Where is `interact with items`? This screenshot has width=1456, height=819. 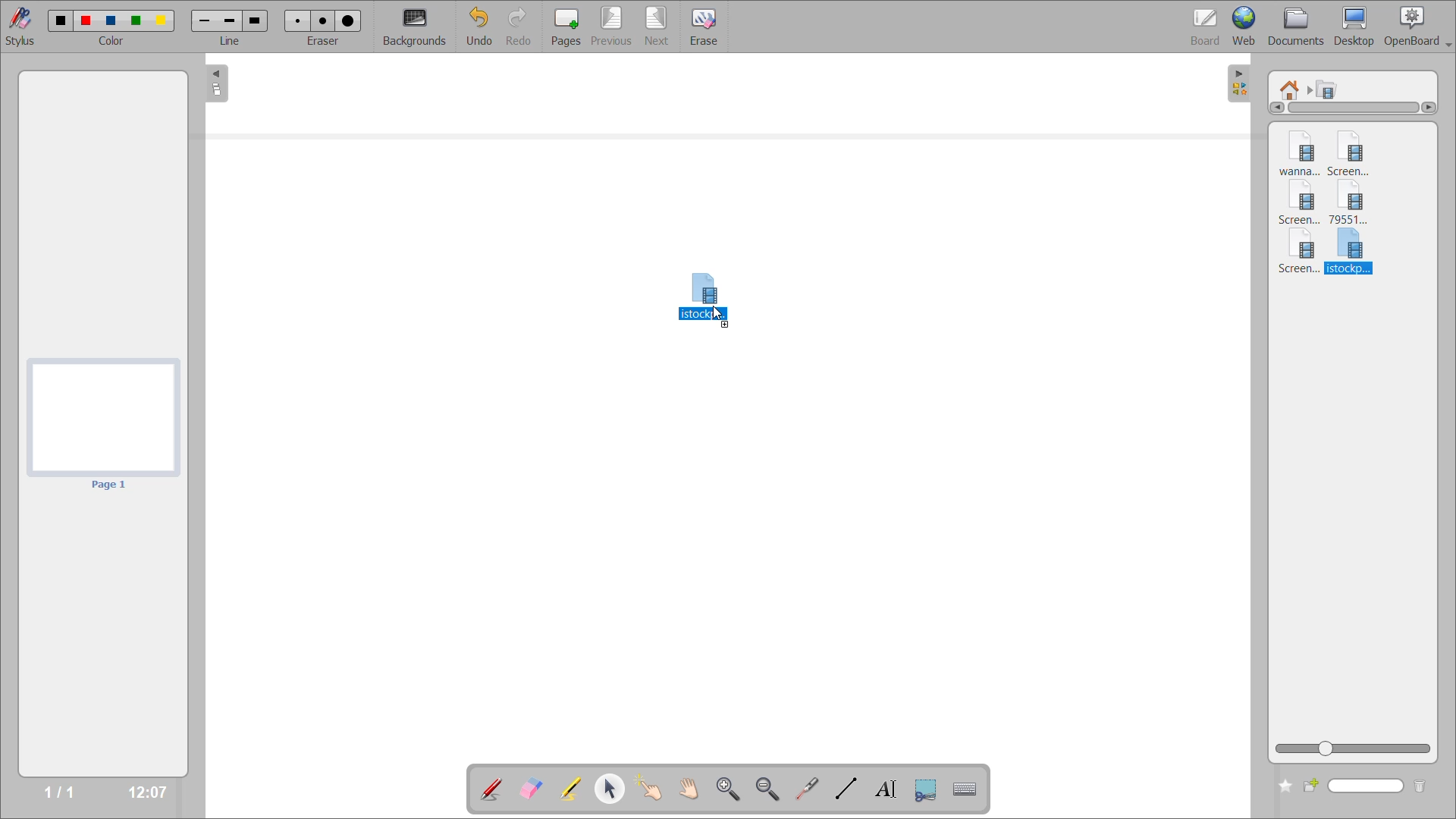
interact with items is located at coordinates (654, 792).